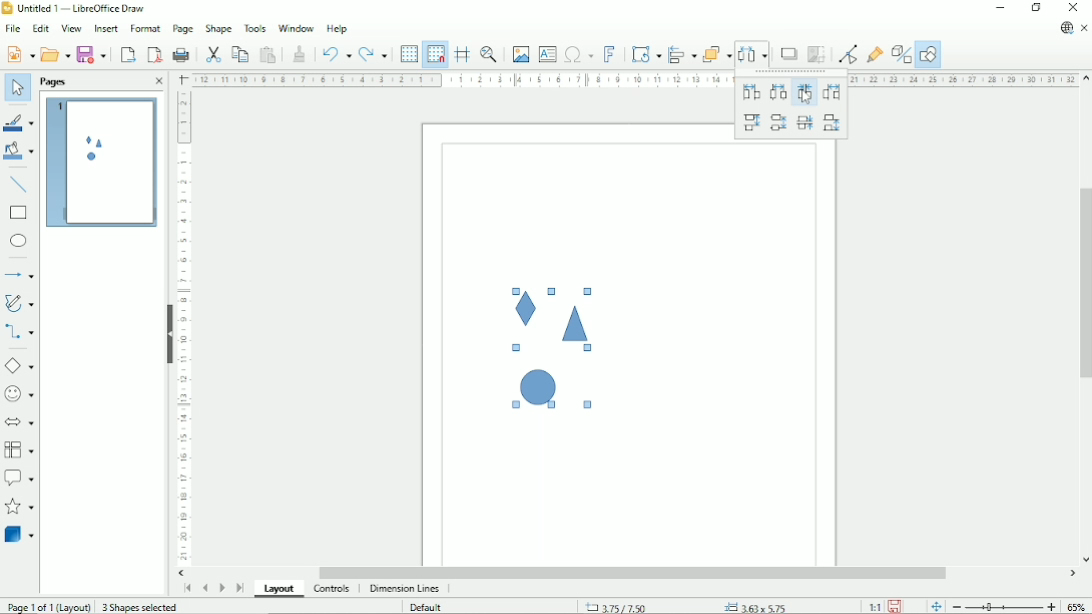 This screenshot has width=1092, height=614. Describe the element at coordinates (20, 421) in the screenshot. I see `Block arrows` at that location.